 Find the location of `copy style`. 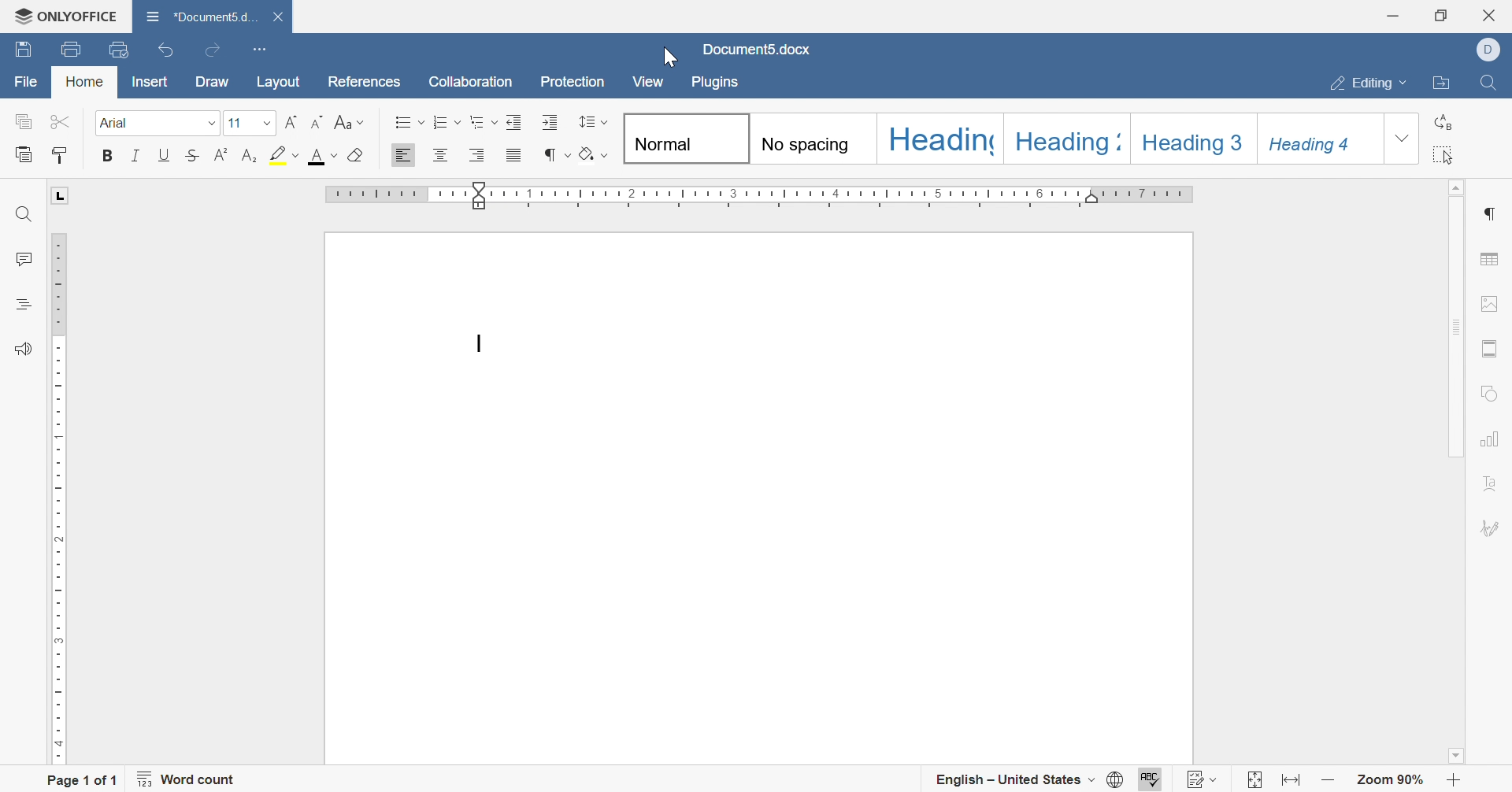

copy style is located at coordinates (60, 154).